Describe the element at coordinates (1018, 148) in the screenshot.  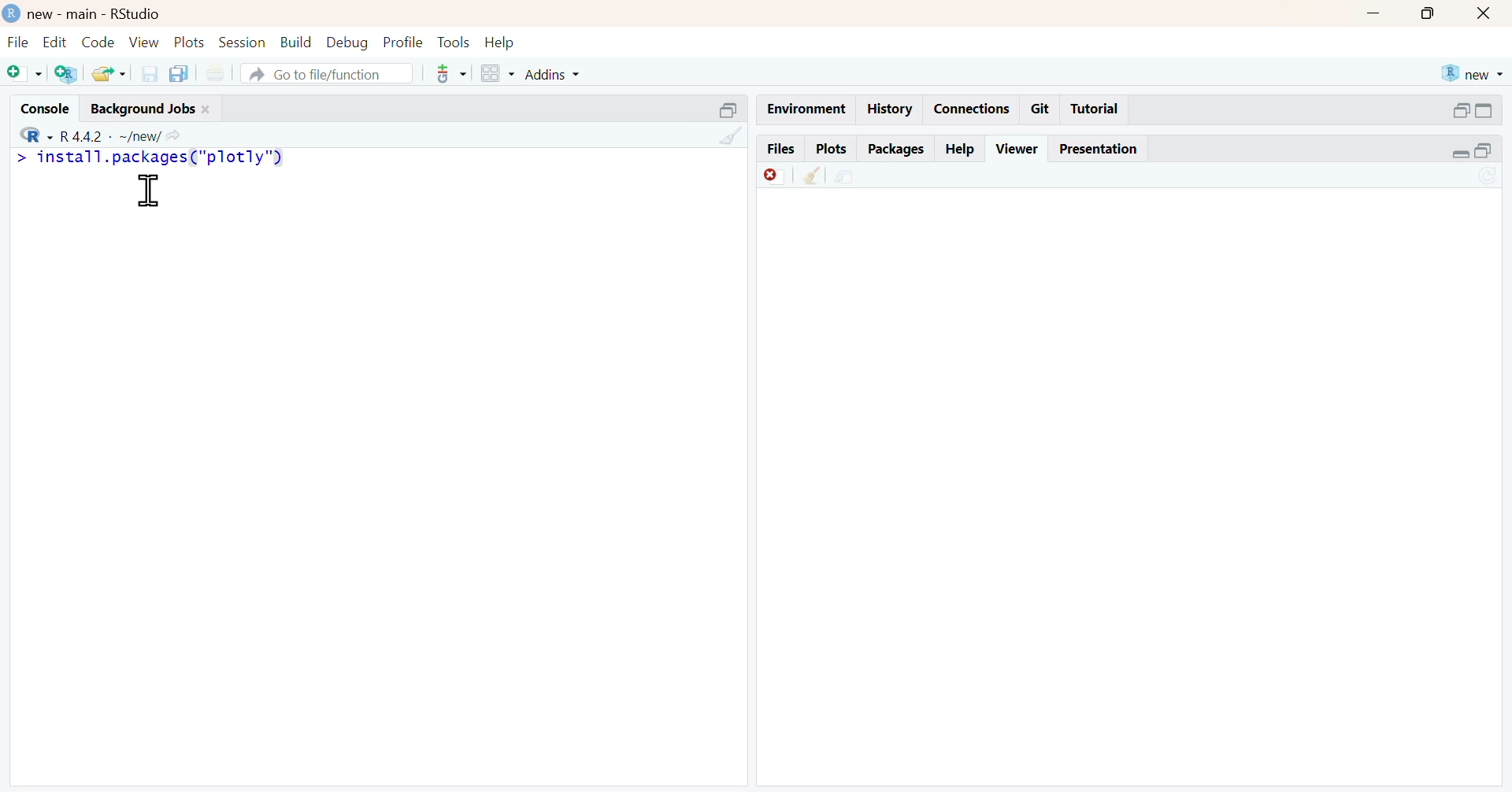
I see `viewer` at that location.